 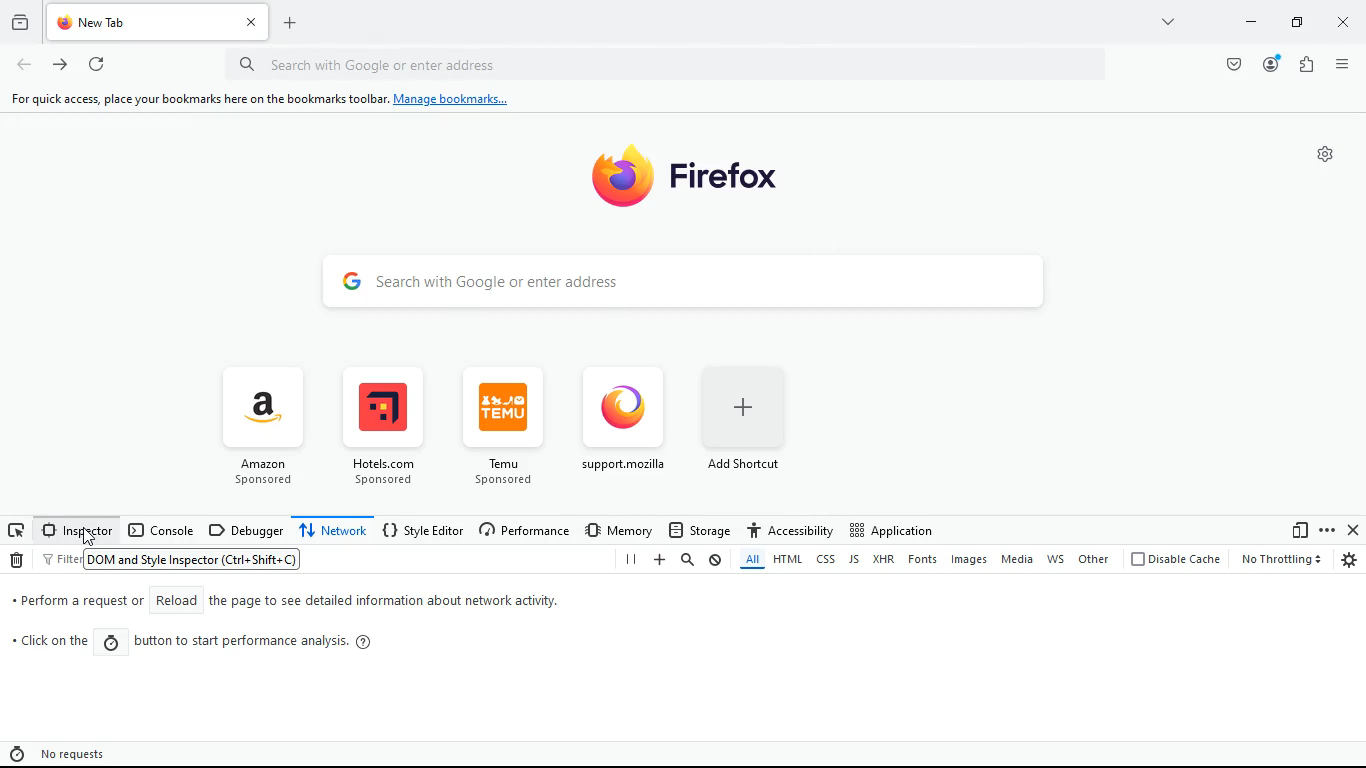 What do you see at coordinates (1019, 560) in the screenshot?
I see `media` at bounding box center [1019, 560].